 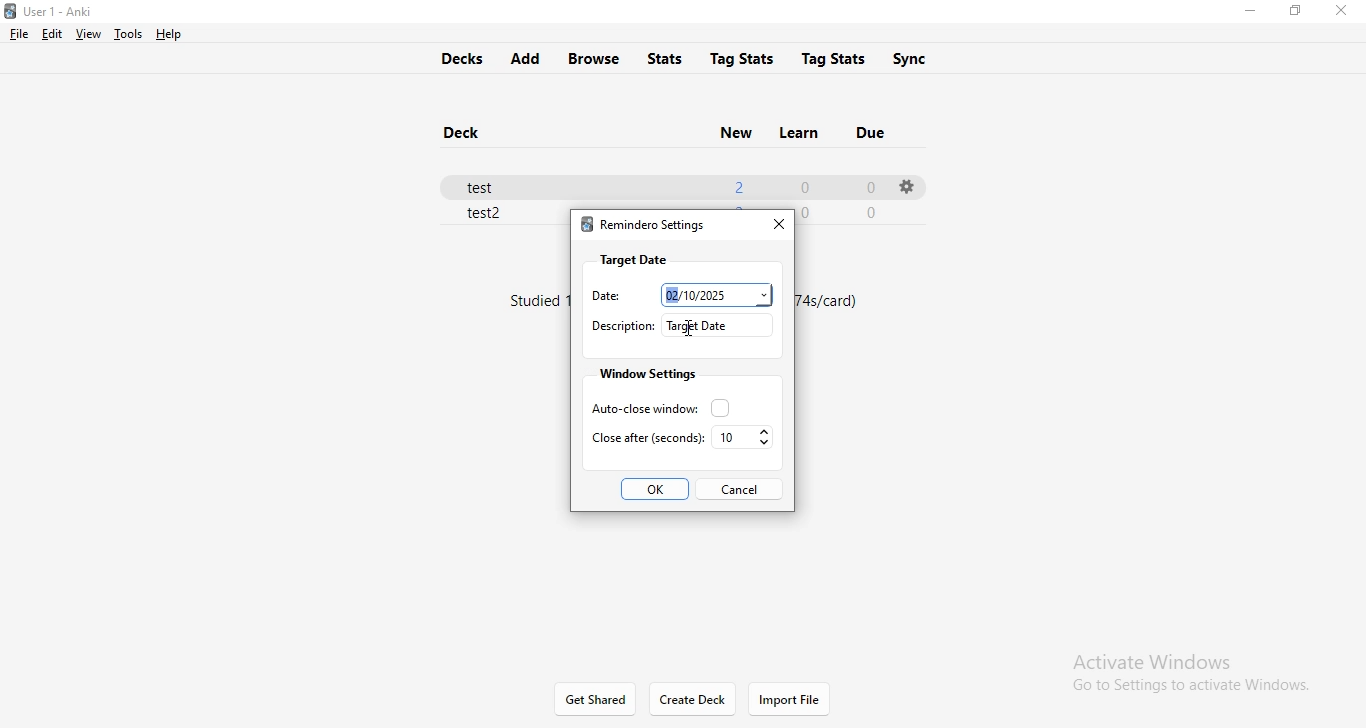 I want to click on cancel, so click(x=738, y=488).